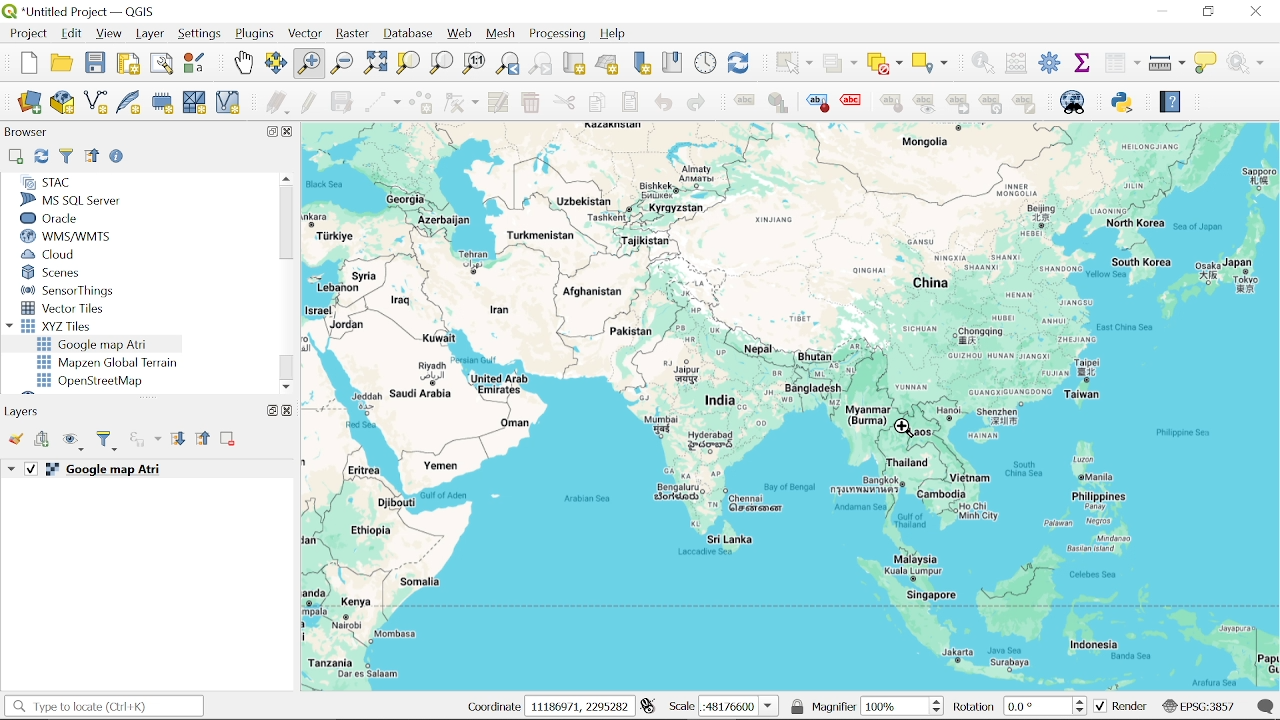  Describe the element at coordinates (777, 103) in the screenshot. I see `Layer diagram options` at that location.